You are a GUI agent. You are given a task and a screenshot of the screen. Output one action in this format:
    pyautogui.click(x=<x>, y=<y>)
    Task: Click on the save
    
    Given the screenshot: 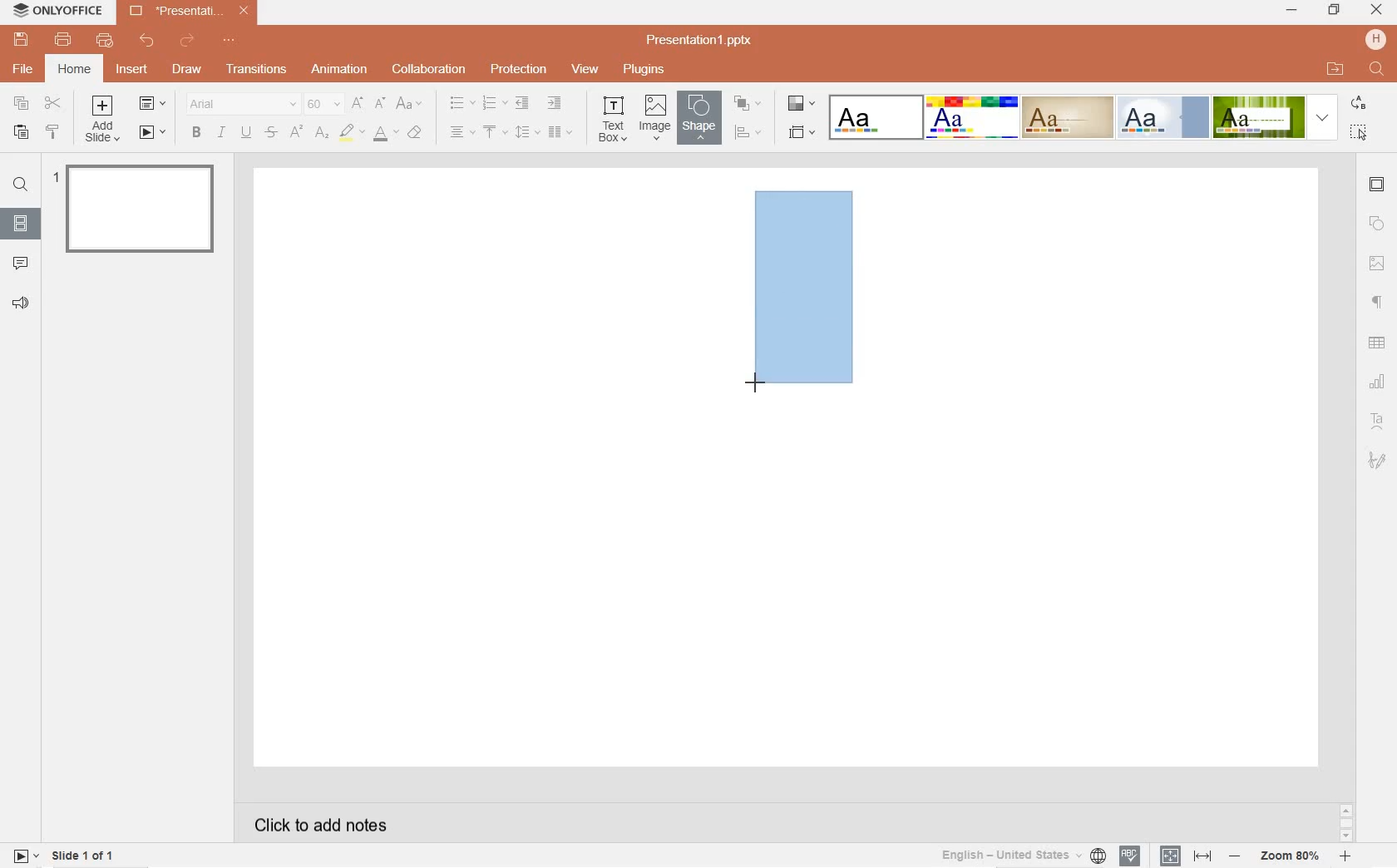 What is the action you would take?
    pyautogui.click(x=21, y=40)
    